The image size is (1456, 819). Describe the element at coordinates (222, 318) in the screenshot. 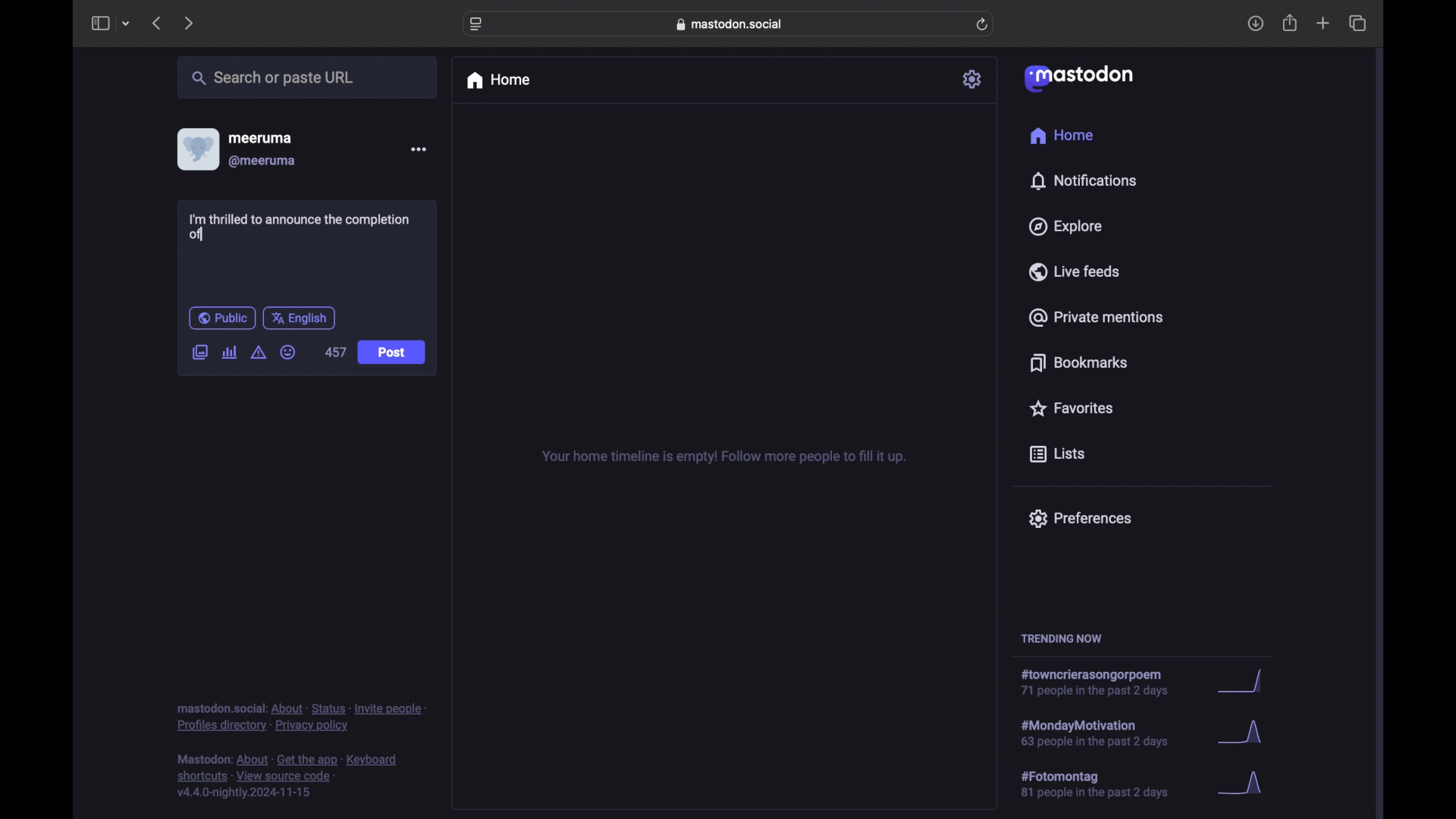

I see `public` at that location.